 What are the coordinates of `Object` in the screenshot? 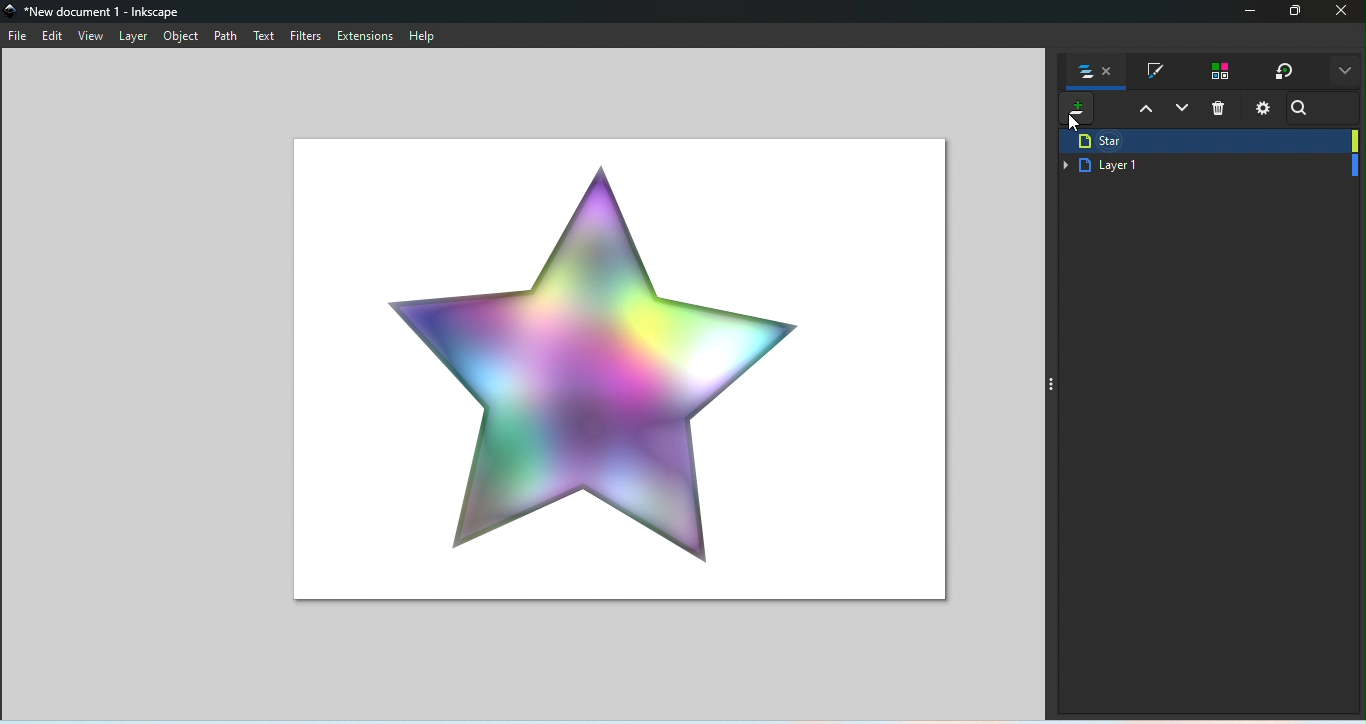 It's located at (180, 38).